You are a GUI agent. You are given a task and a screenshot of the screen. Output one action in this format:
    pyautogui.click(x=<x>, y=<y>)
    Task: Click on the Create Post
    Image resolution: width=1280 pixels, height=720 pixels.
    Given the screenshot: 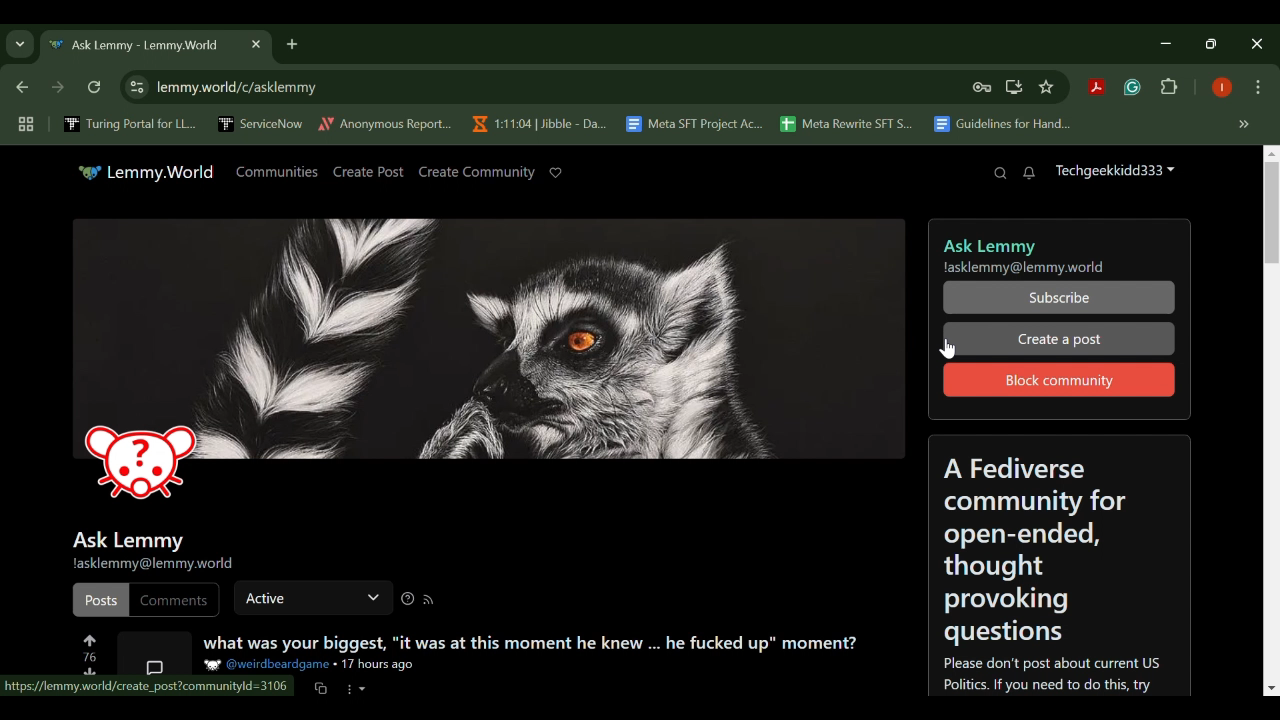 What is the action you would take?
    pyautogui.click(x=369, y=173)
    